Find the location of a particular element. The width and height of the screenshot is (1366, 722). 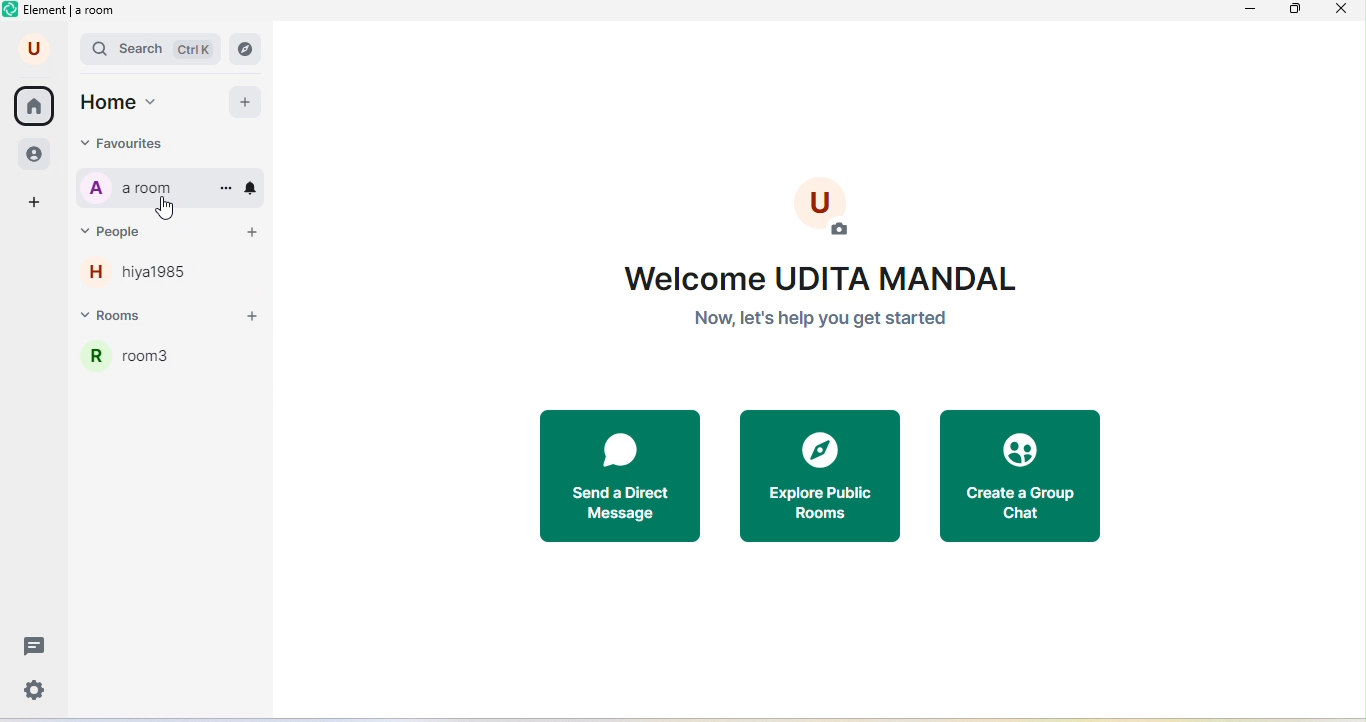

options is located at coordinates (225, 189).